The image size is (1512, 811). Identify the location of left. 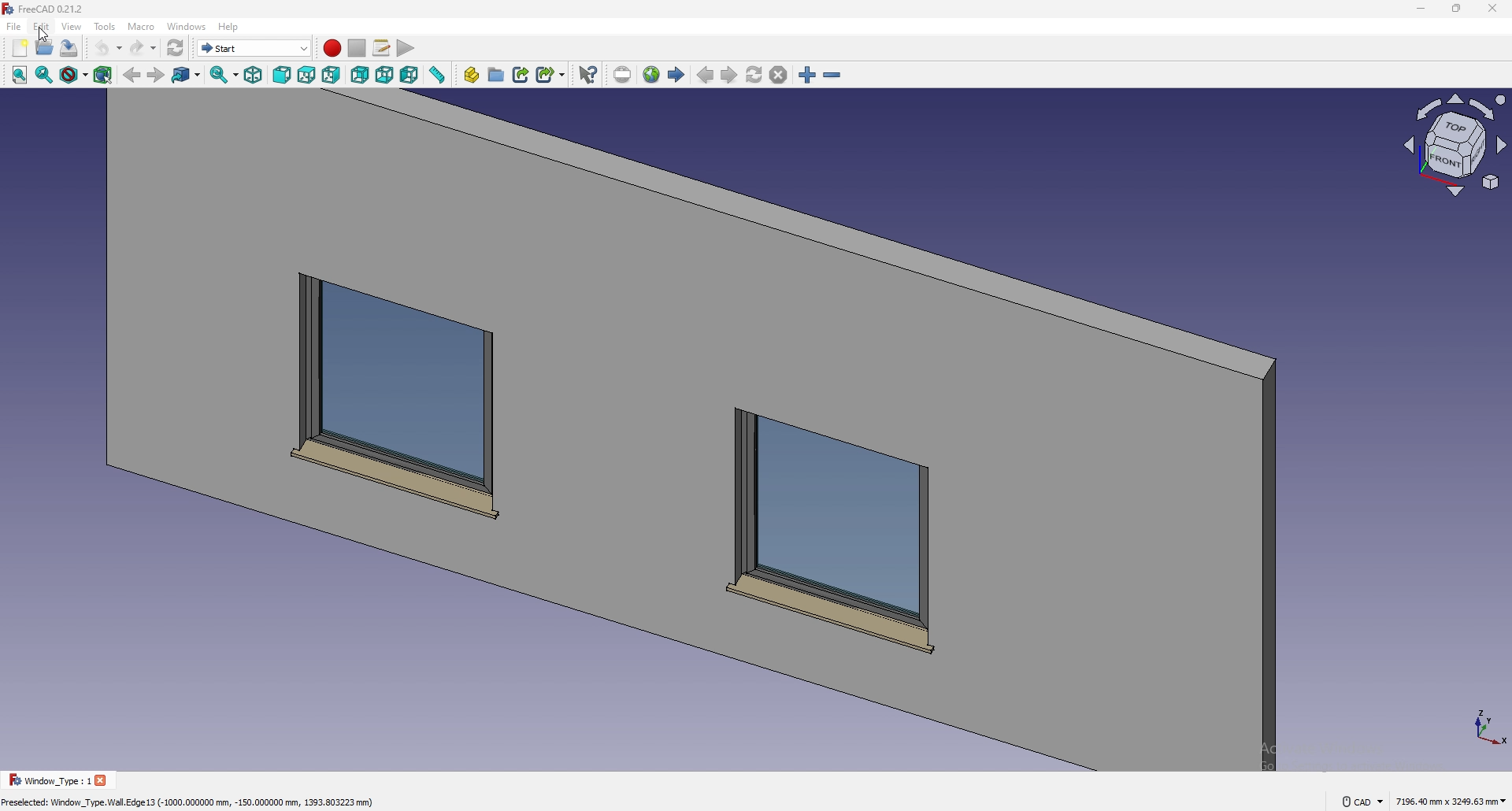
(410, 75).